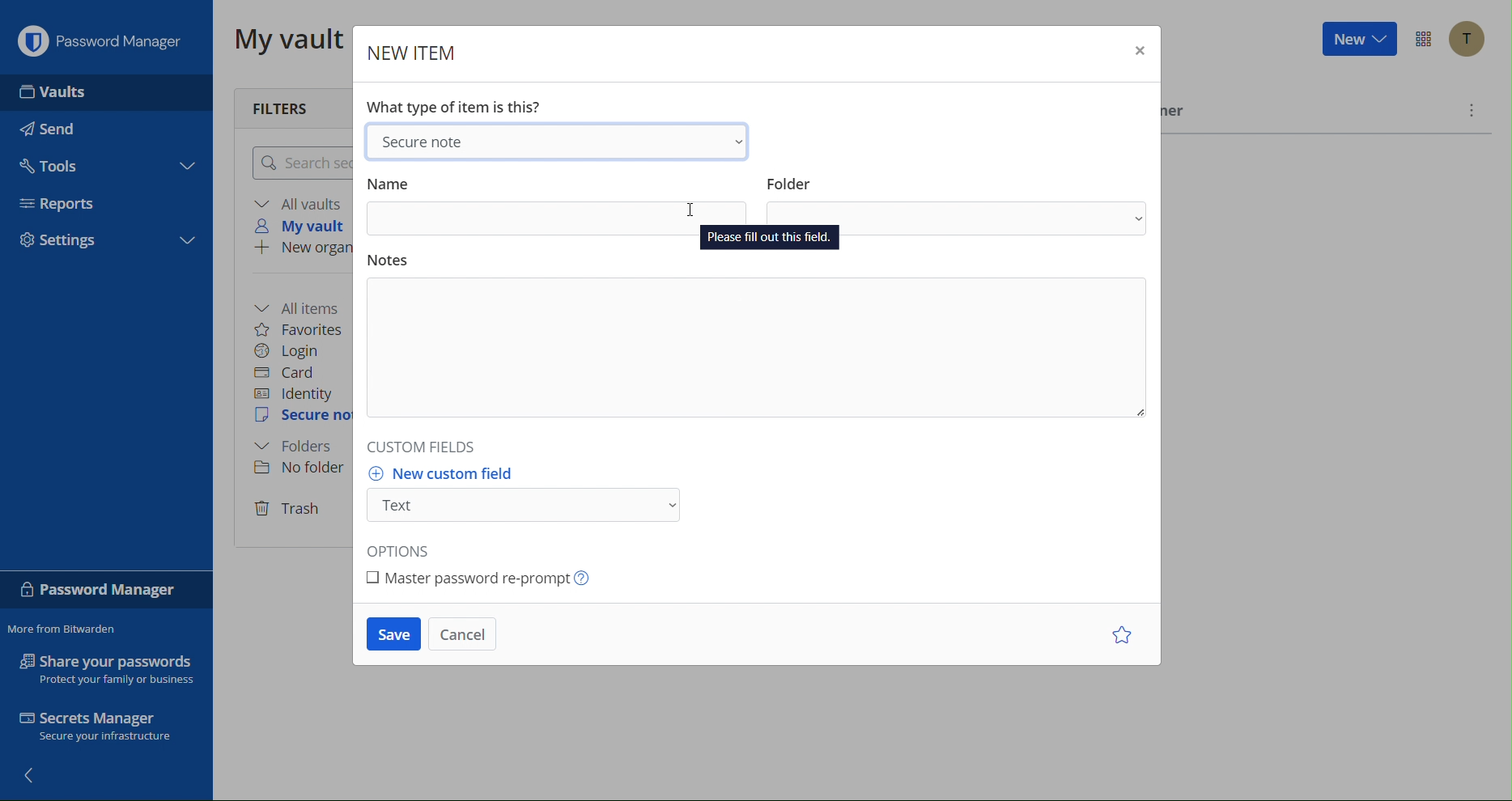 This screenshot has width=1512, height=801. I want to click on Star, so click(1119, 636).